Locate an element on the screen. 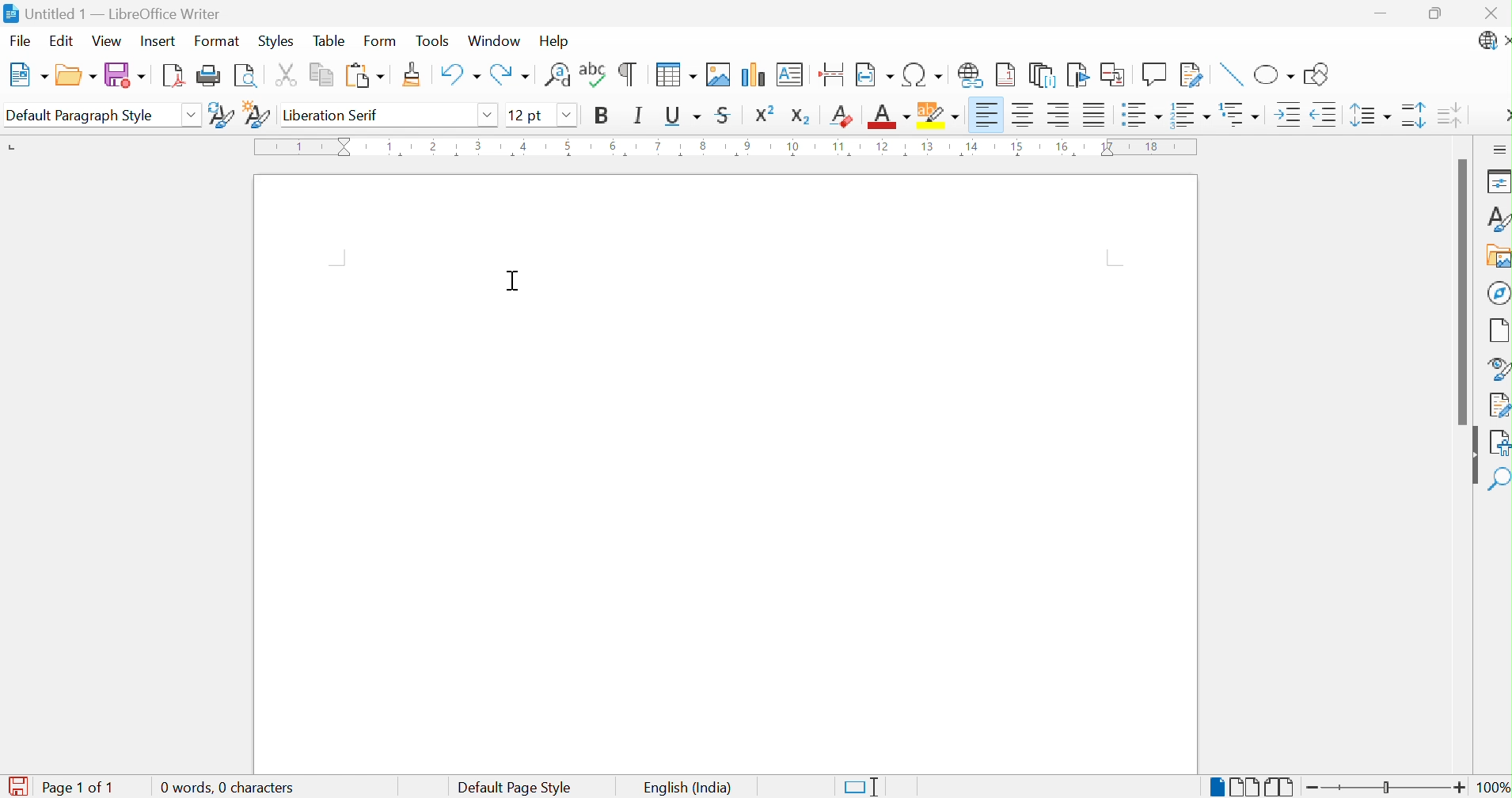 The image size is (1512, 798). Insert Cross-reference is located at coordinates (1115, 74).